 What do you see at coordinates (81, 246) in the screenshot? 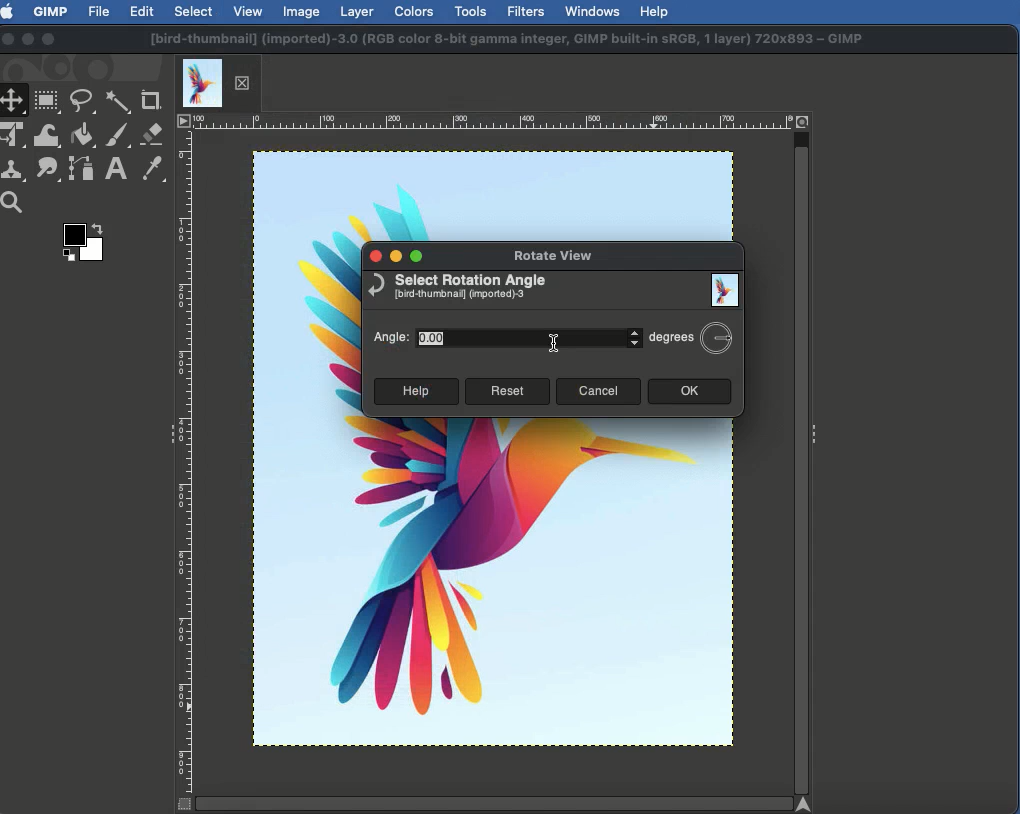
I see `Color` at bounding box center [81, 246].